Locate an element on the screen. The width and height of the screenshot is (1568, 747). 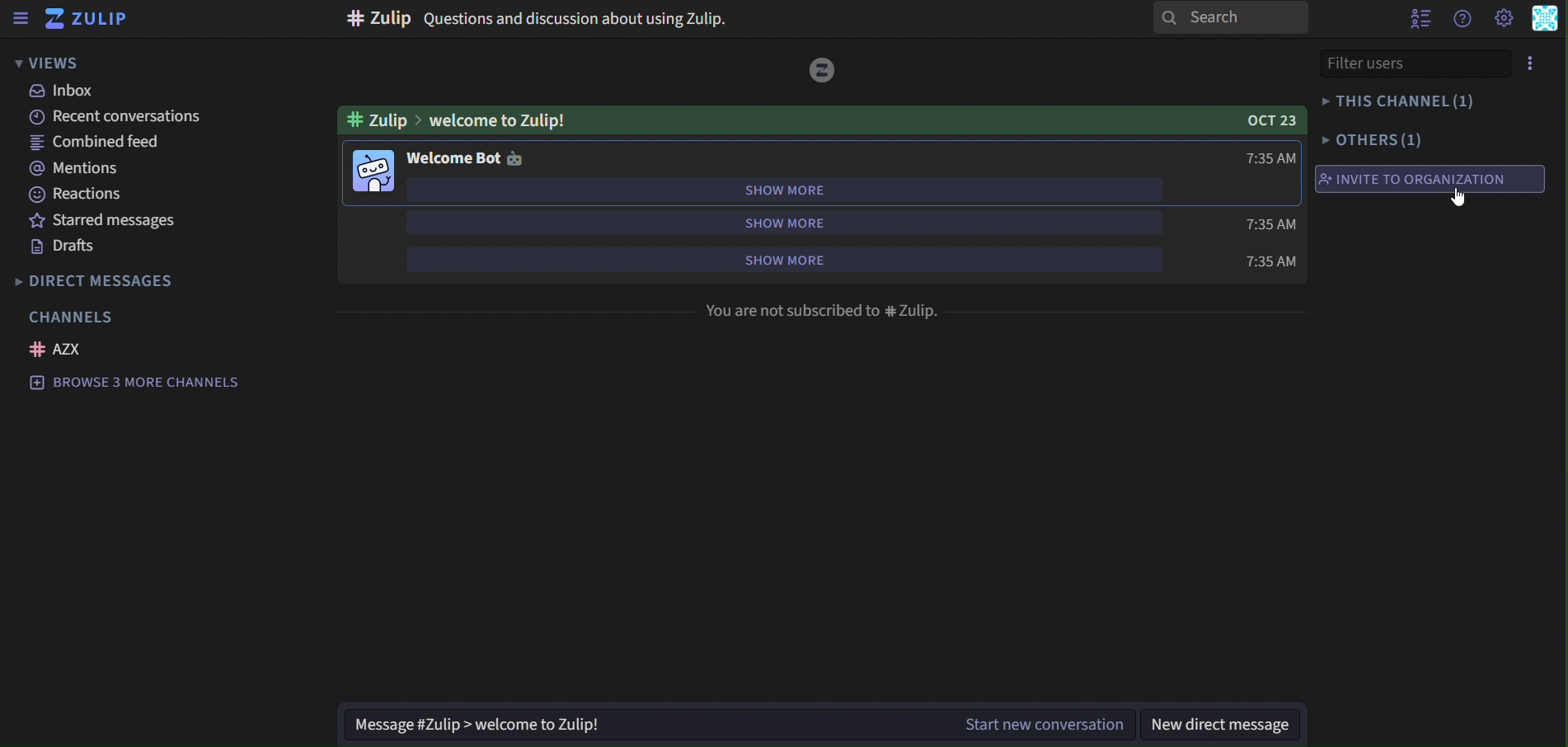
filter users is located at coordinates (1383, 63).